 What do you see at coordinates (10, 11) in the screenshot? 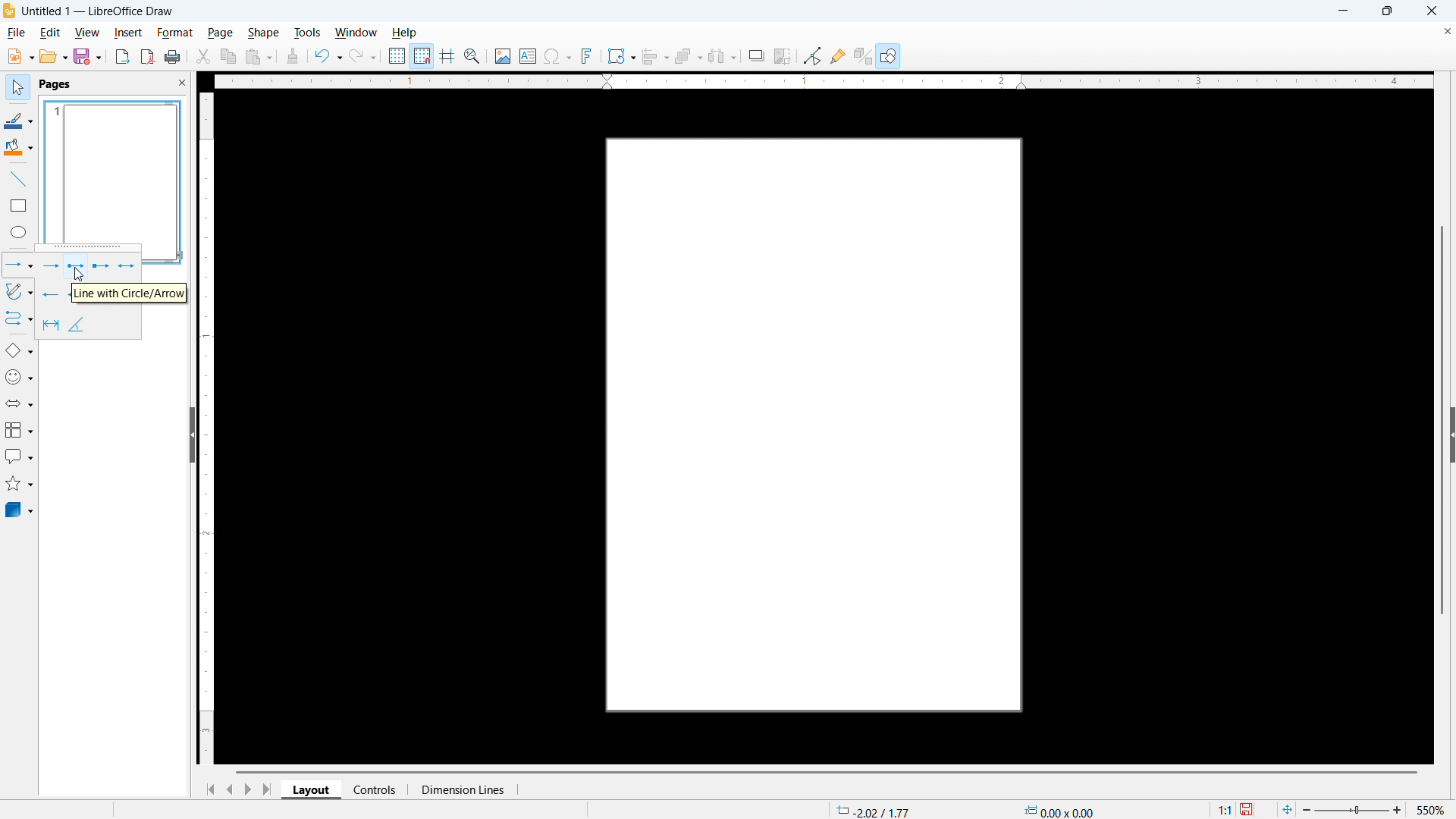
I see `Logo ` at bounding box center [10, 11].